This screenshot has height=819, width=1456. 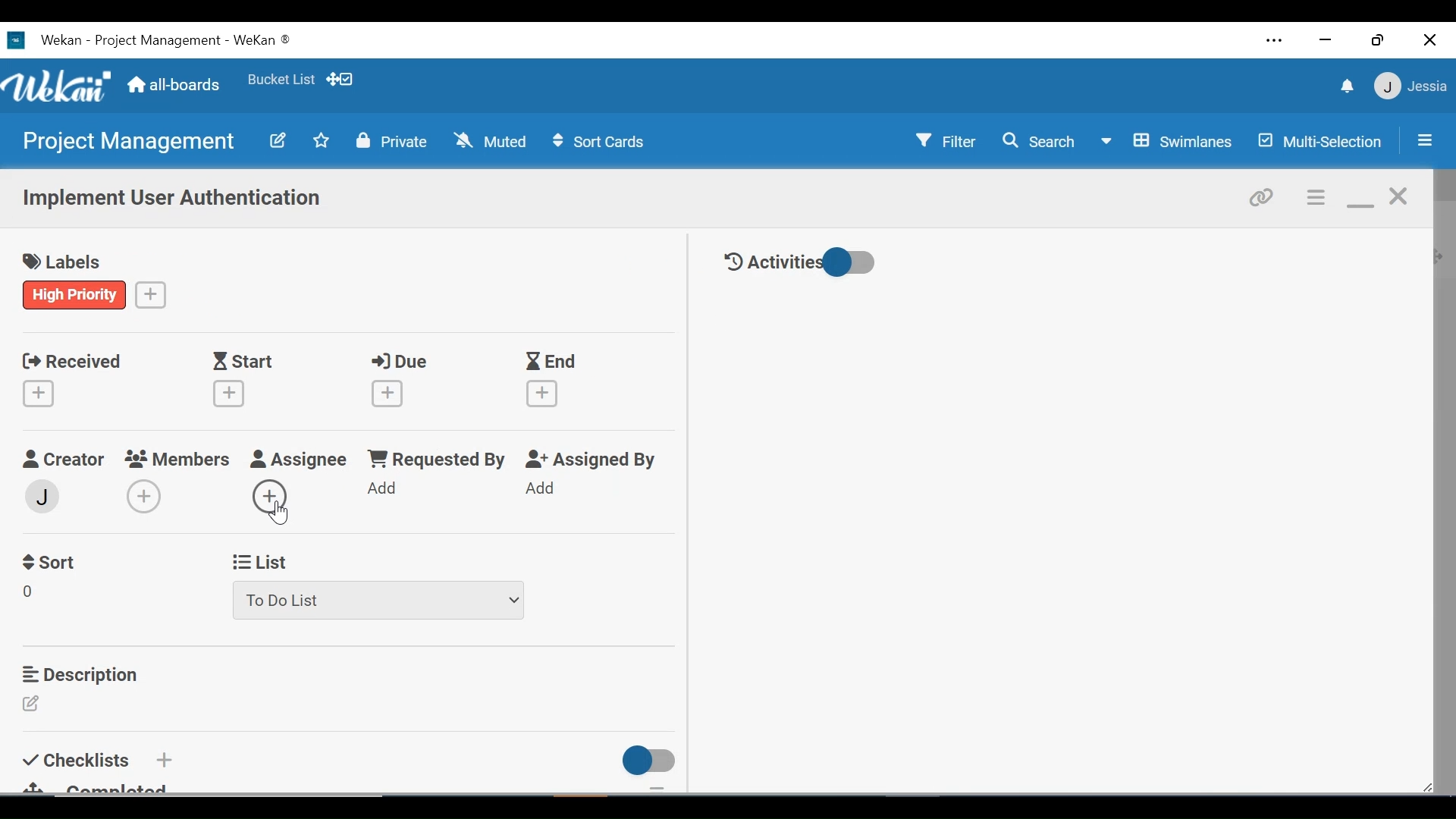 I want to click on Due Date, so click(x=403, y=362).